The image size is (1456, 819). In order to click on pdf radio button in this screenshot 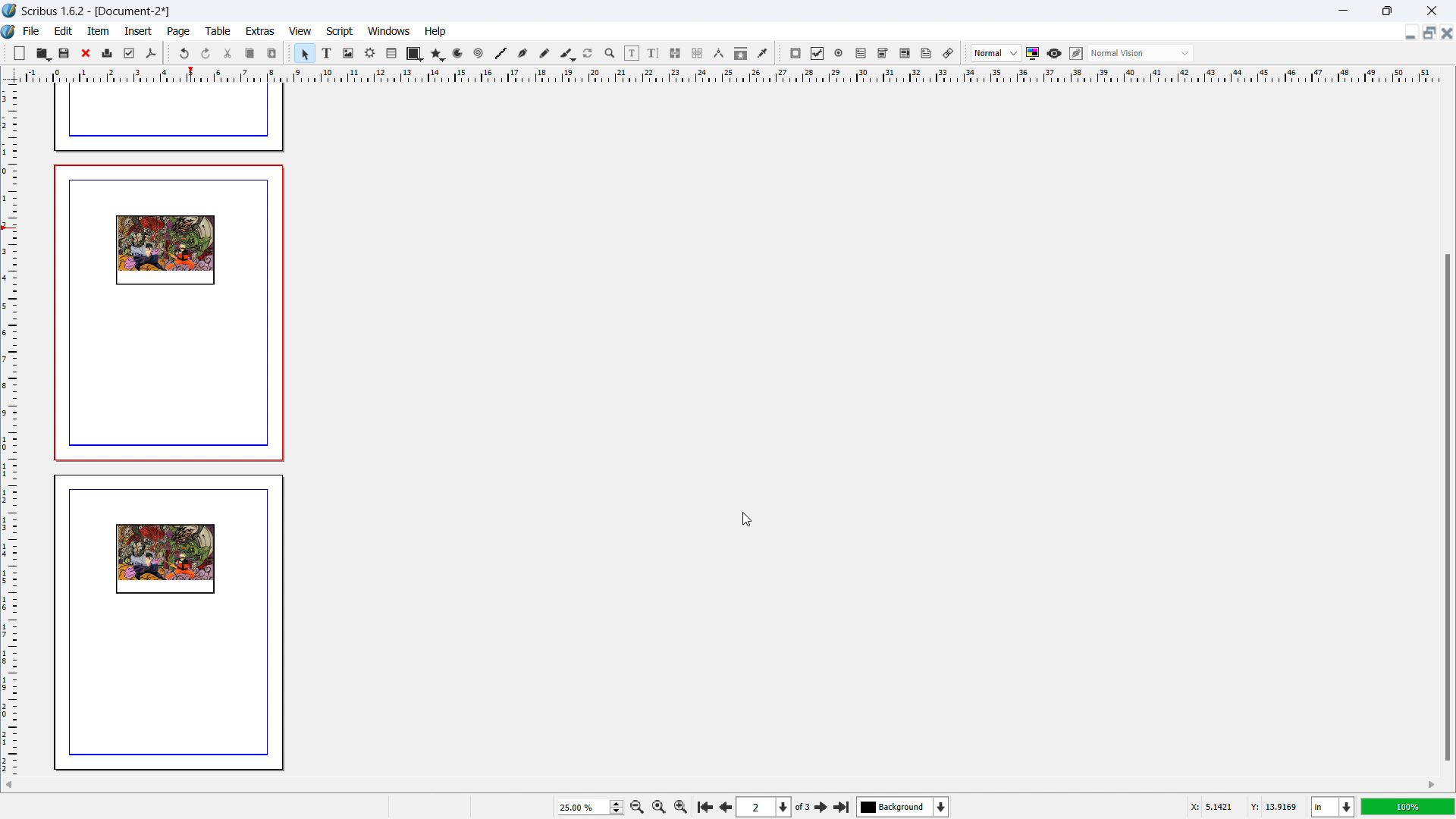, I will do `click(839, 52)`.